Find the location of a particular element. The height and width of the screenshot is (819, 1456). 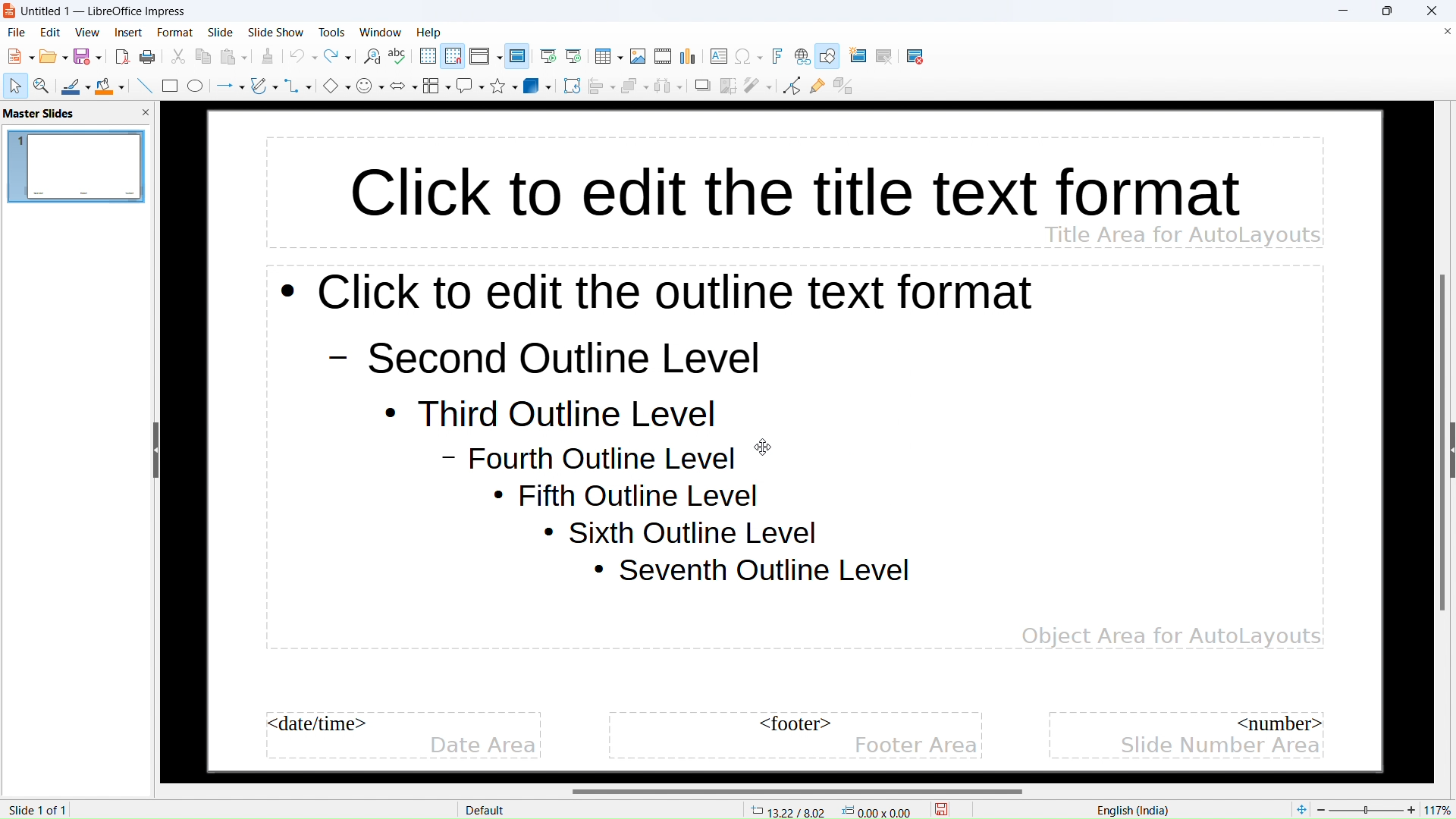

redo is located at coordinates (337, 56).